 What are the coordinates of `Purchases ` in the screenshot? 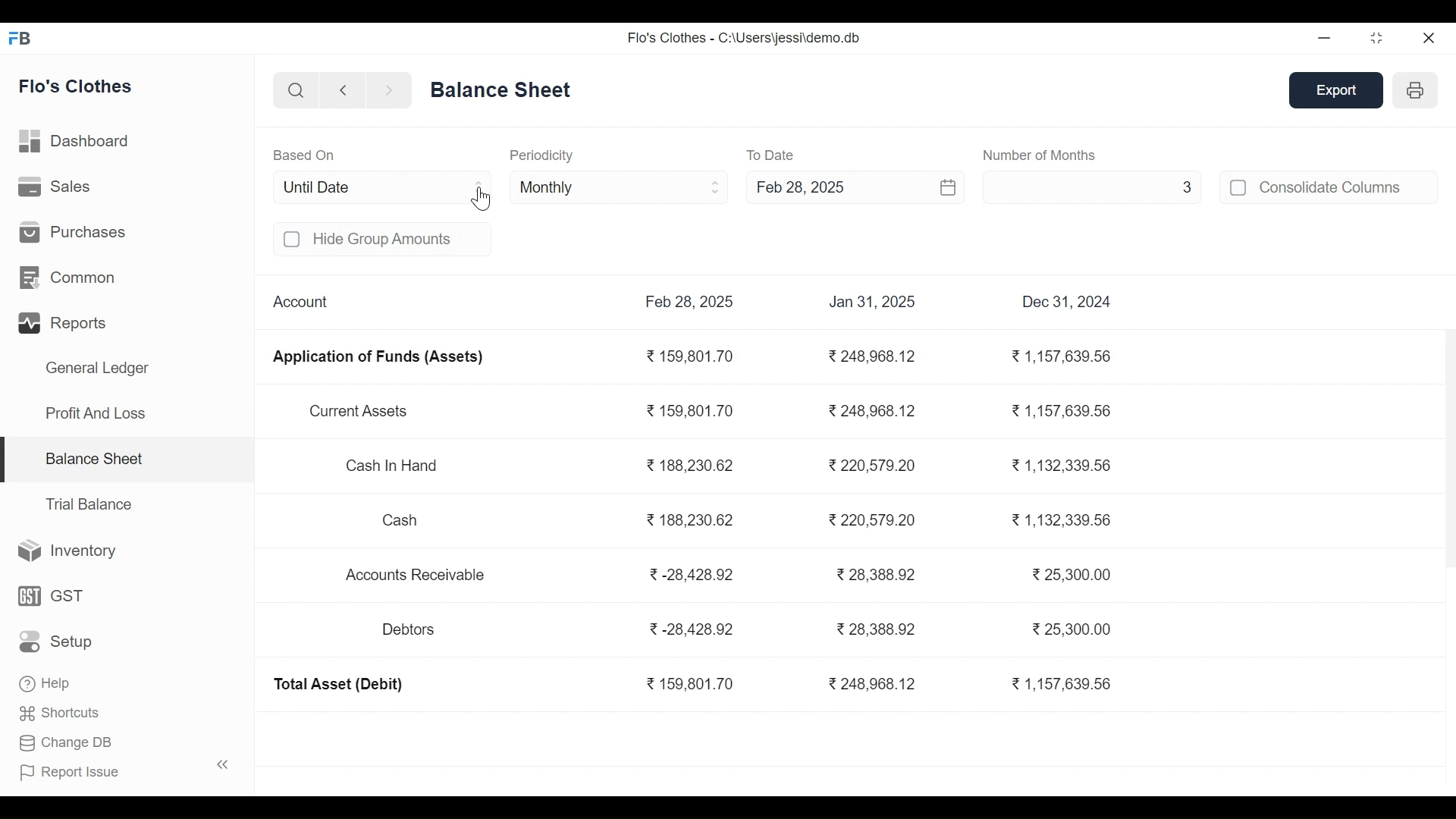 It's located at (73, 231).